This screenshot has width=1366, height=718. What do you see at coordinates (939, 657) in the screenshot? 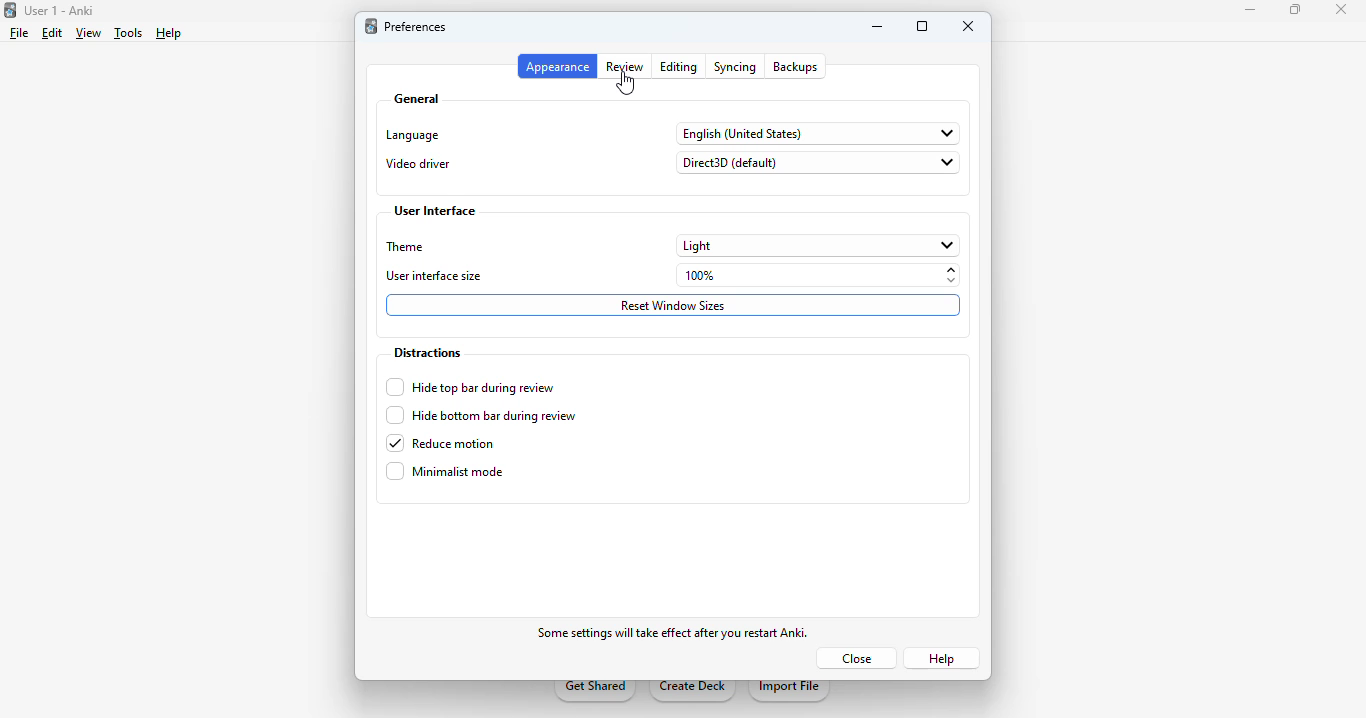
I see `help` at bounding box center [939, 657].